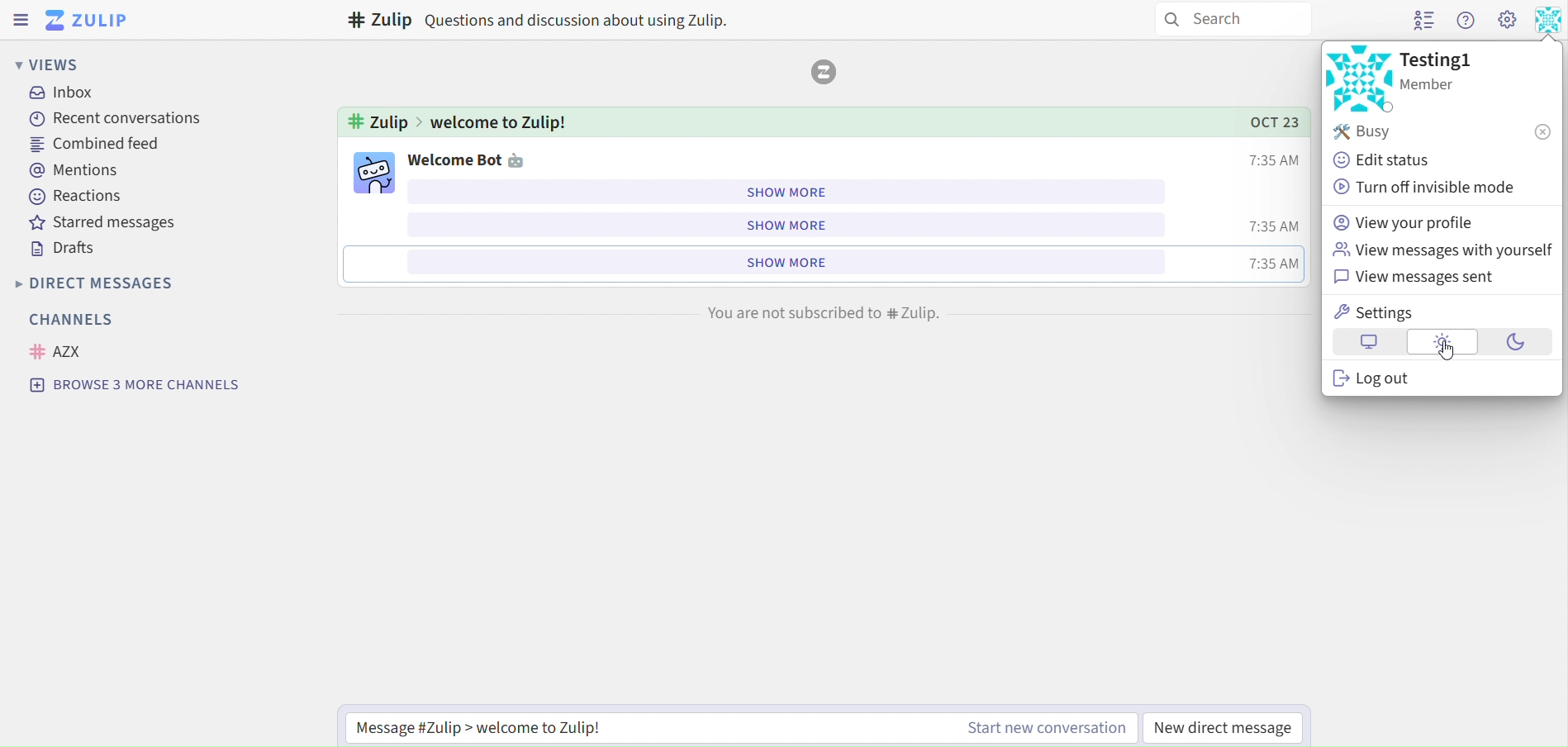 The image size is (1568, 747). Describe the element at coordinates (66, 250) in the screenshot. I see `drafts` at that location.